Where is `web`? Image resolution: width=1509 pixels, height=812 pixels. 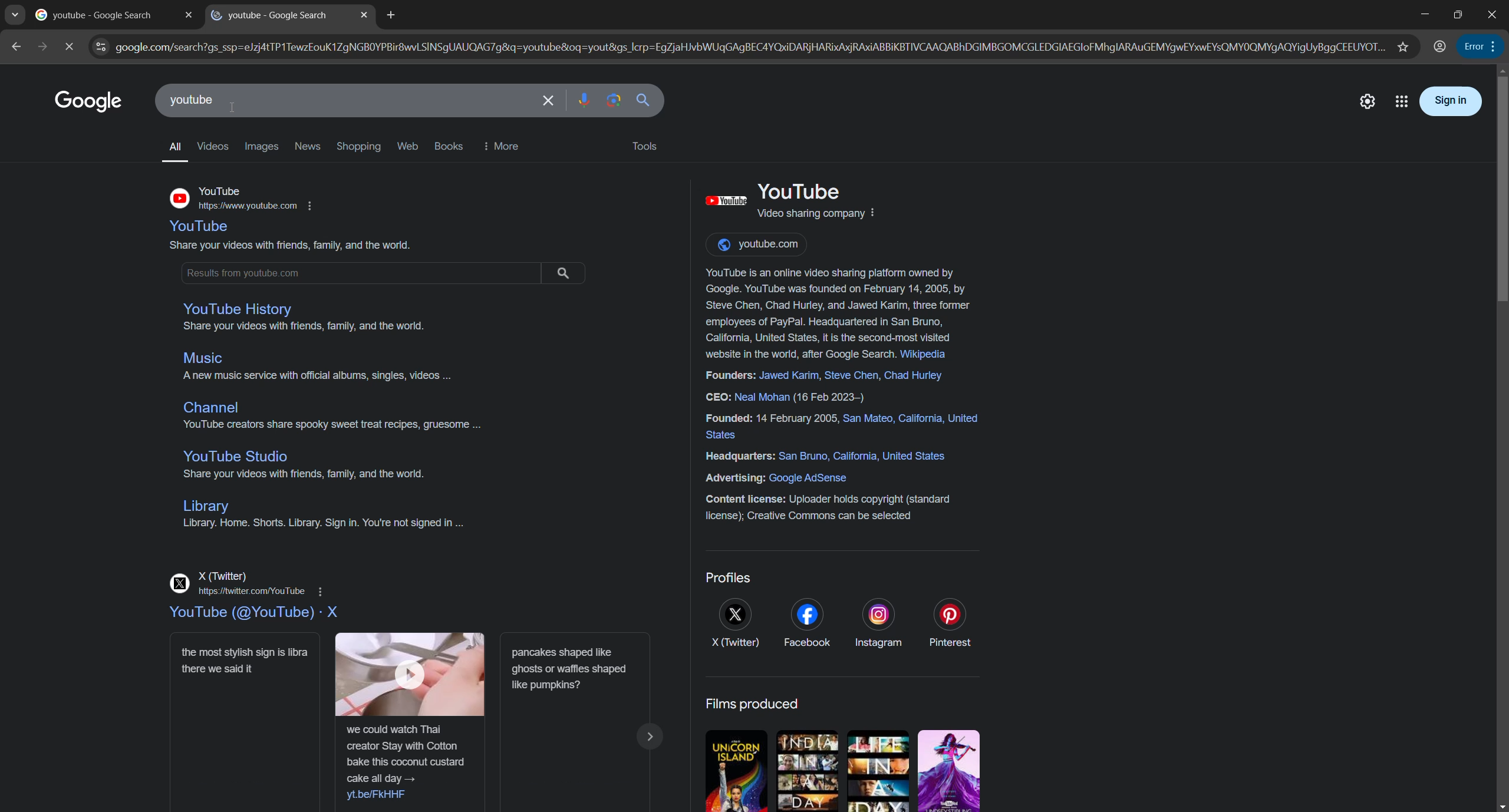 web is located at coordinates (408, 146).